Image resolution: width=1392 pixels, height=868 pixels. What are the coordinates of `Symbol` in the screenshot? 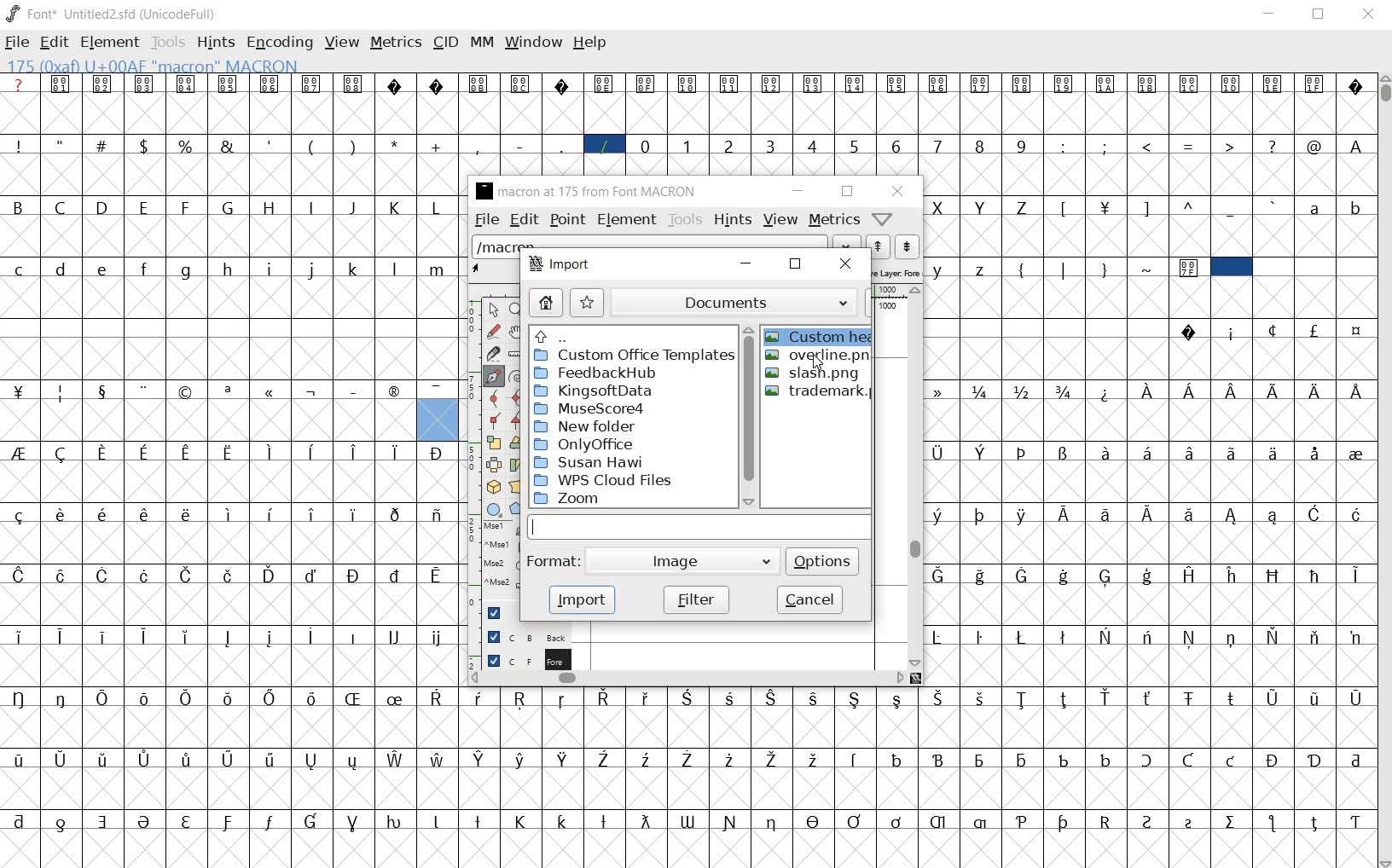 It's located at (1024, 454).